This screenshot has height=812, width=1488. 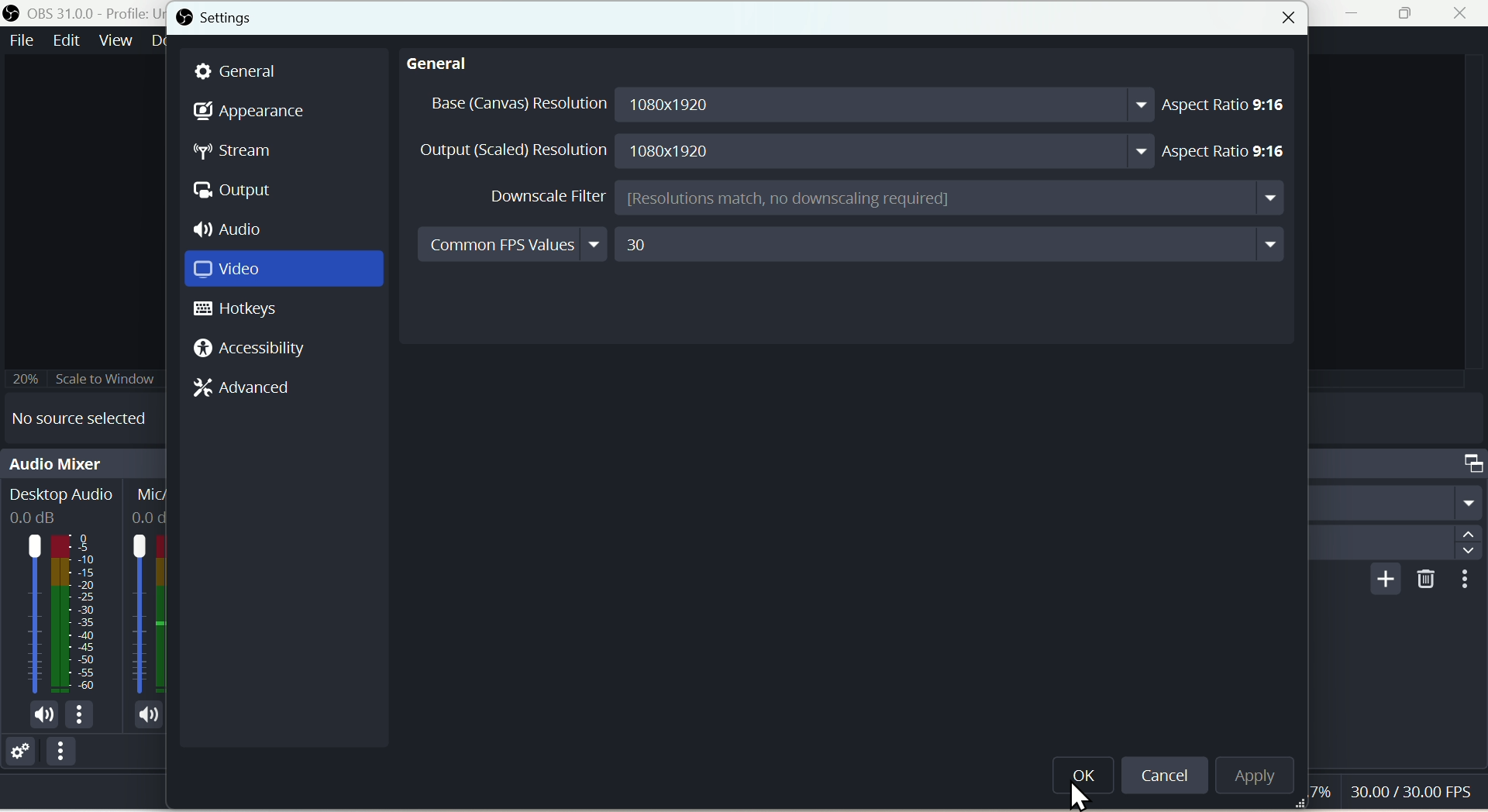 What do you see at coordinates (1357, 15) in the screenshot?
I see `minimise` at bounding box center [1357, 15].